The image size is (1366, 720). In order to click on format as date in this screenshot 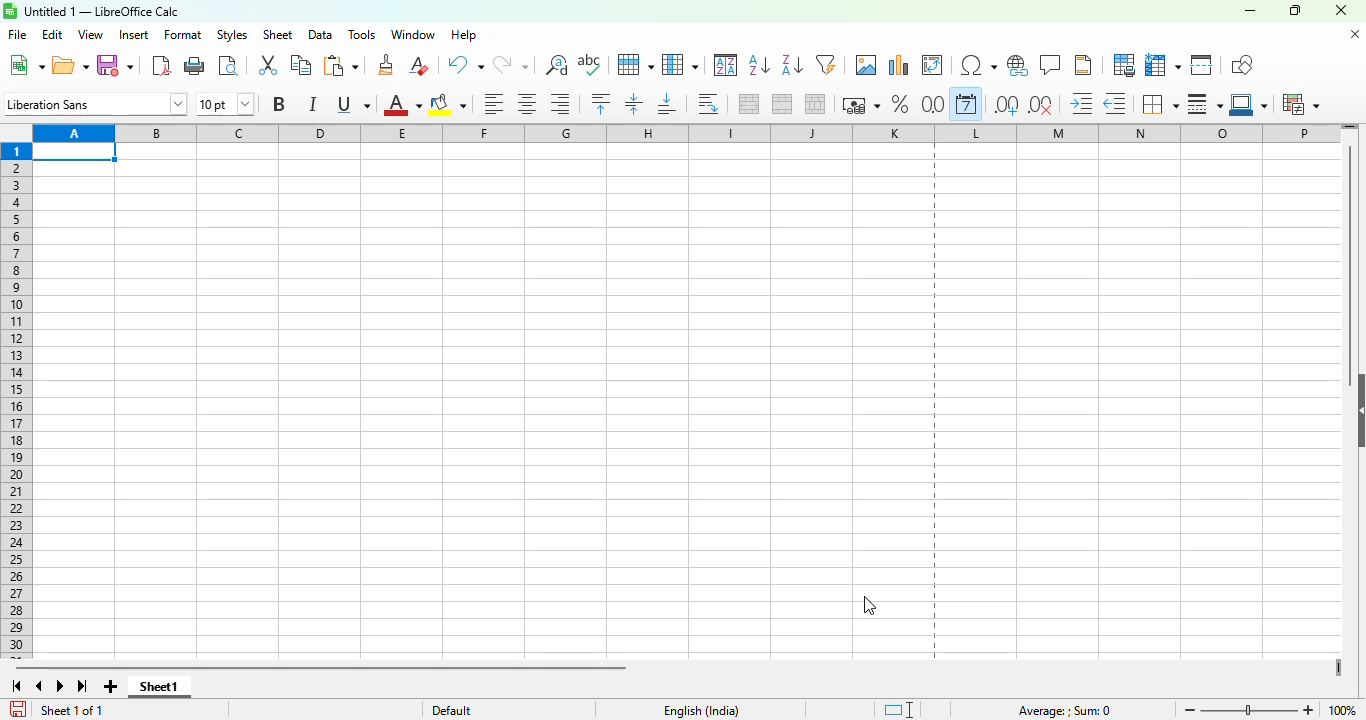, I will do `click(966, 103)`.